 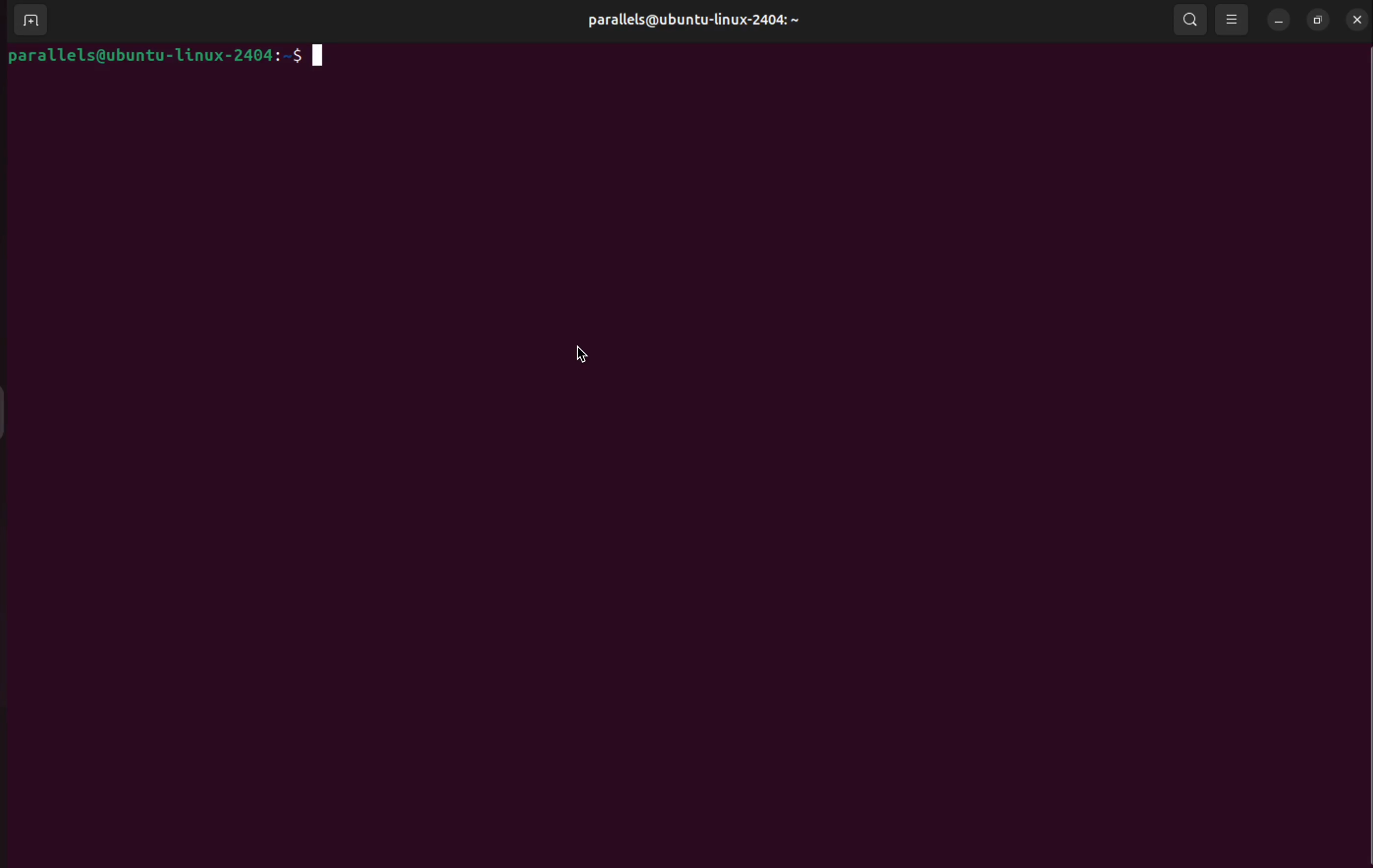 I want to click on Scroll bar, so click(x=1362, y=453).